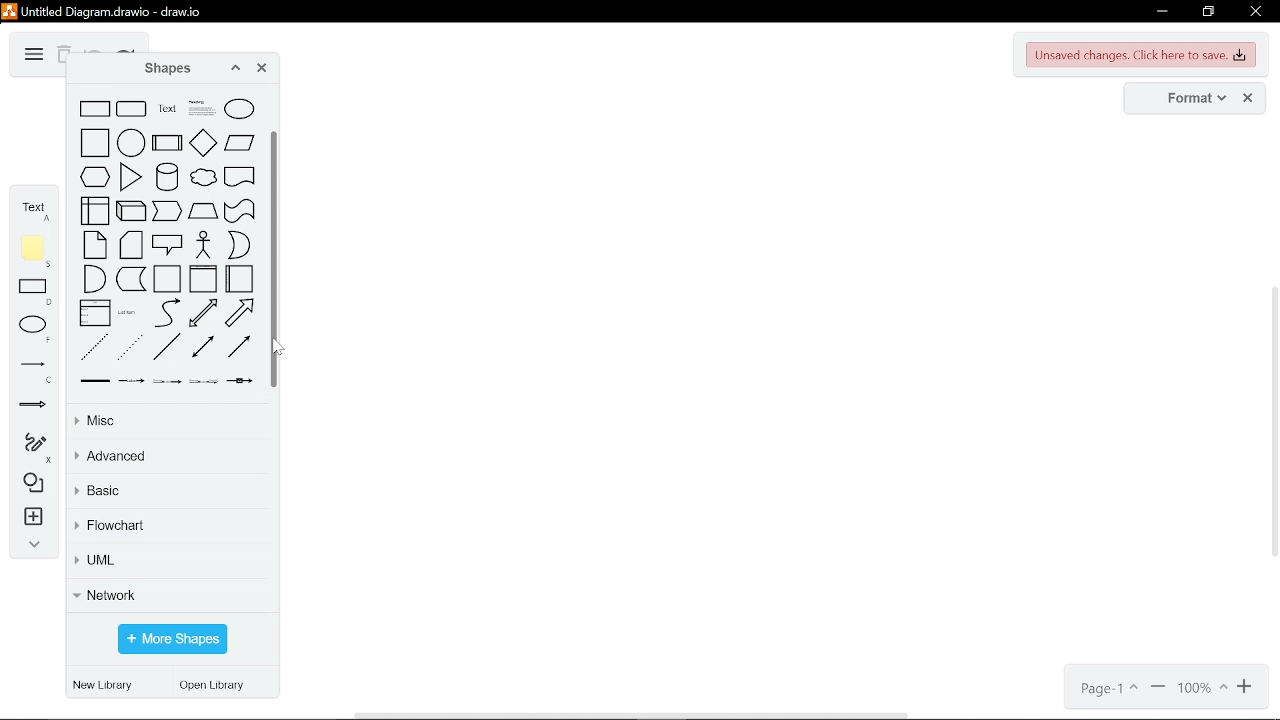  What do you see at coordinates (30, 547) in the screenshot?
I see `collapse` at bounding box center [30, 547].